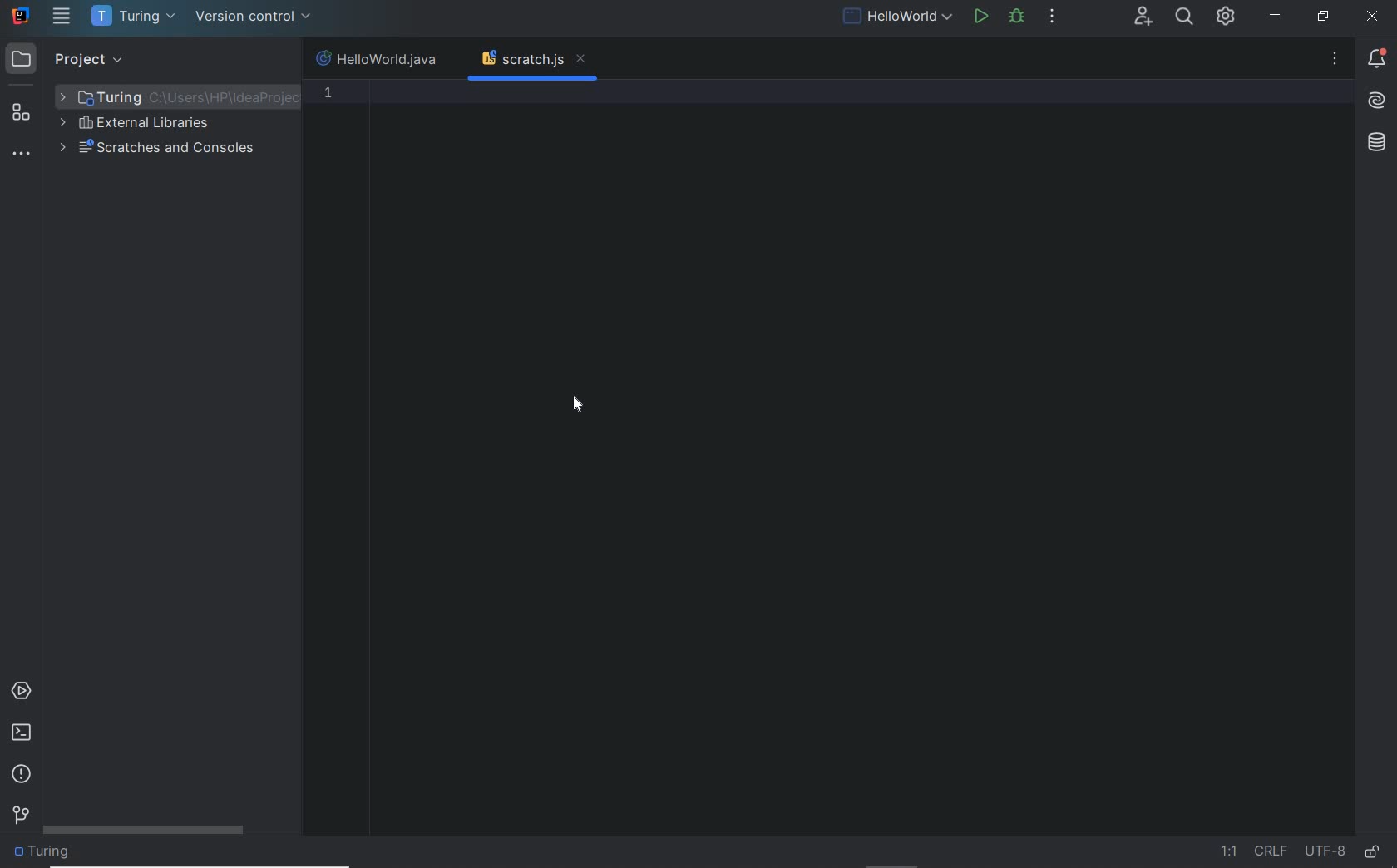  What do you see at coordinates (1143, 17) in the screenshot?
I see `code with me` at bounding box center [1143, 17].